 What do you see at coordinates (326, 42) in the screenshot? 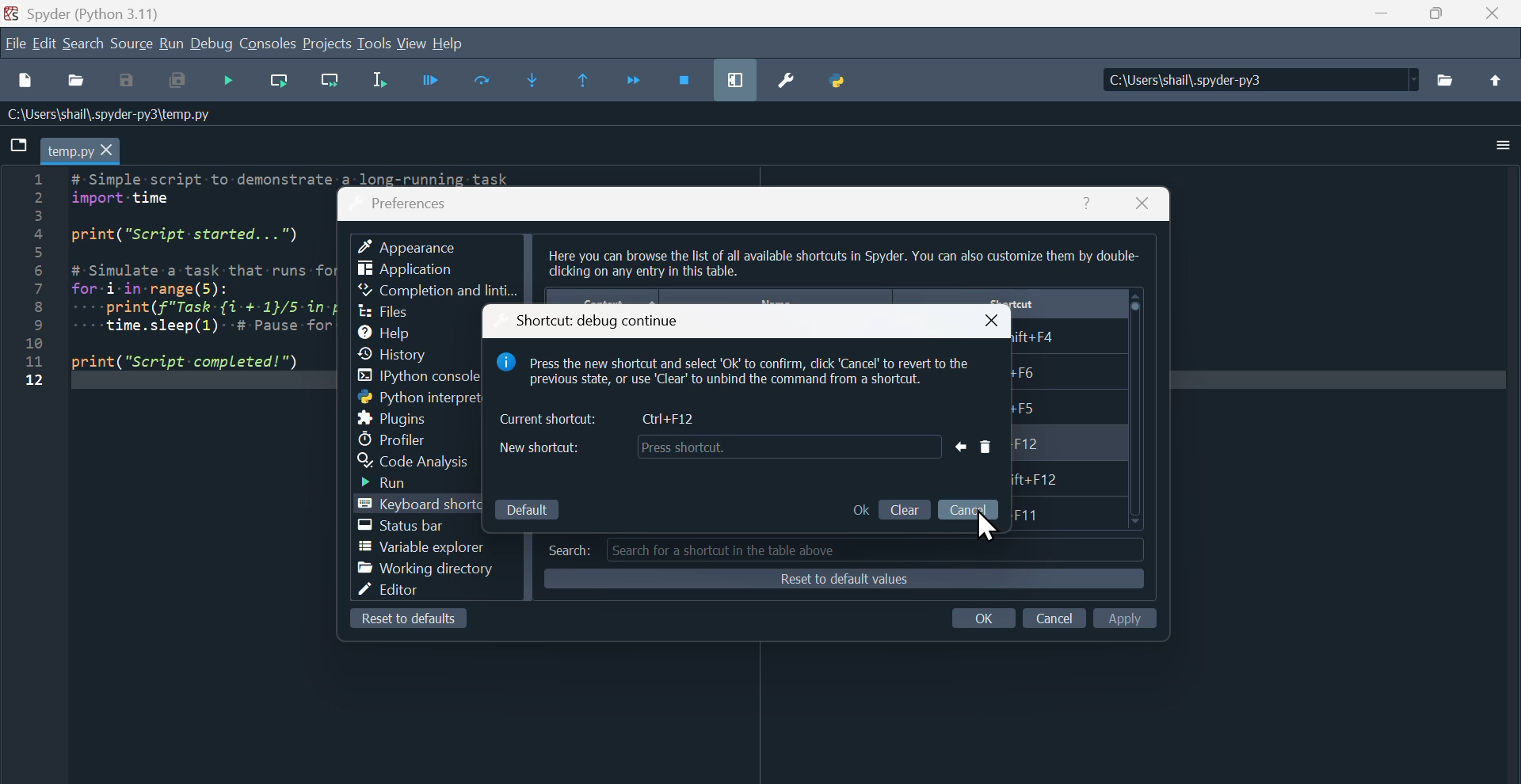
I see `Projects` at bounding box center [326, 42].